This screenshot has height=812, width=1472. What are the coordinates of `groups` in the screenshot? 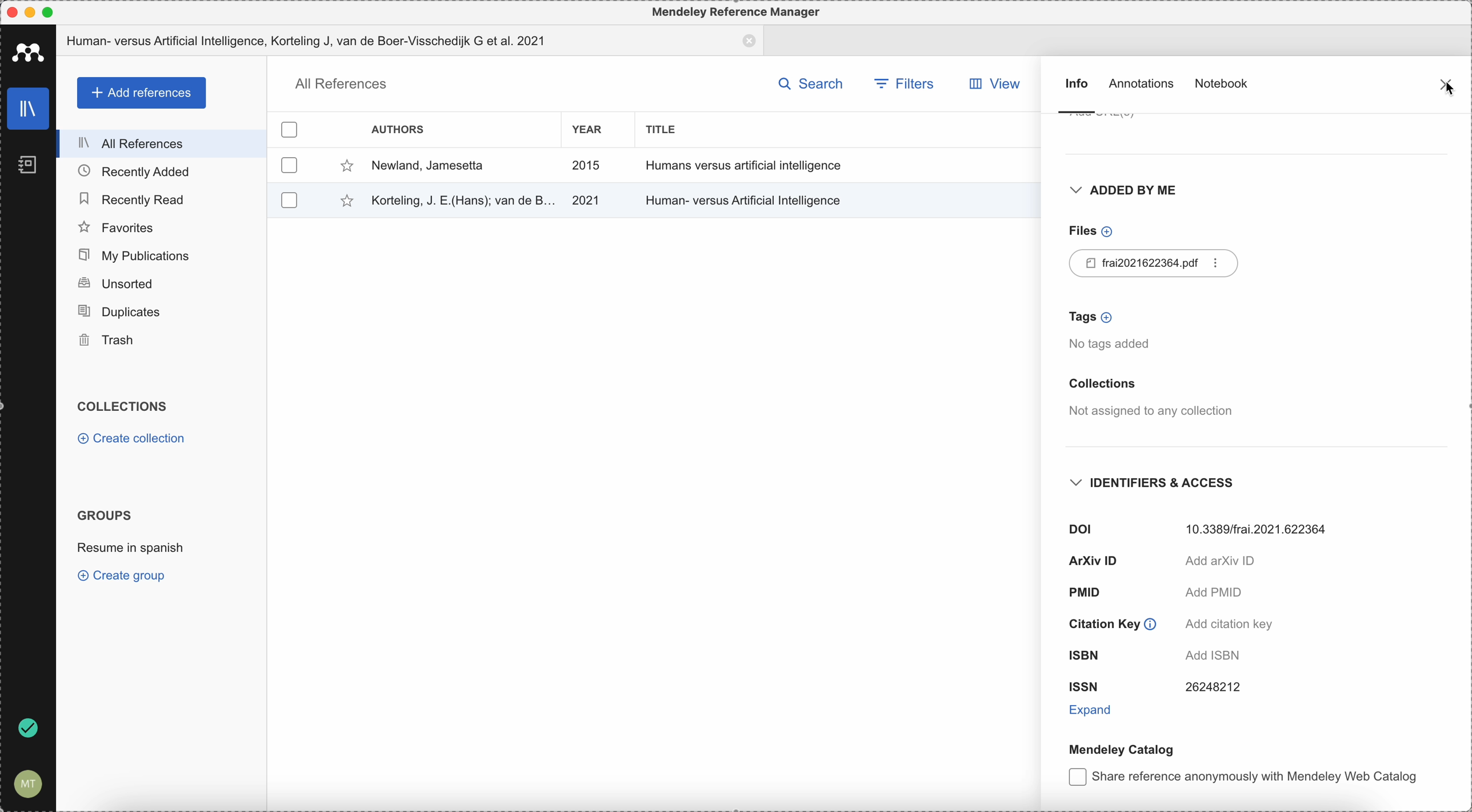 It's located at (105, 515).